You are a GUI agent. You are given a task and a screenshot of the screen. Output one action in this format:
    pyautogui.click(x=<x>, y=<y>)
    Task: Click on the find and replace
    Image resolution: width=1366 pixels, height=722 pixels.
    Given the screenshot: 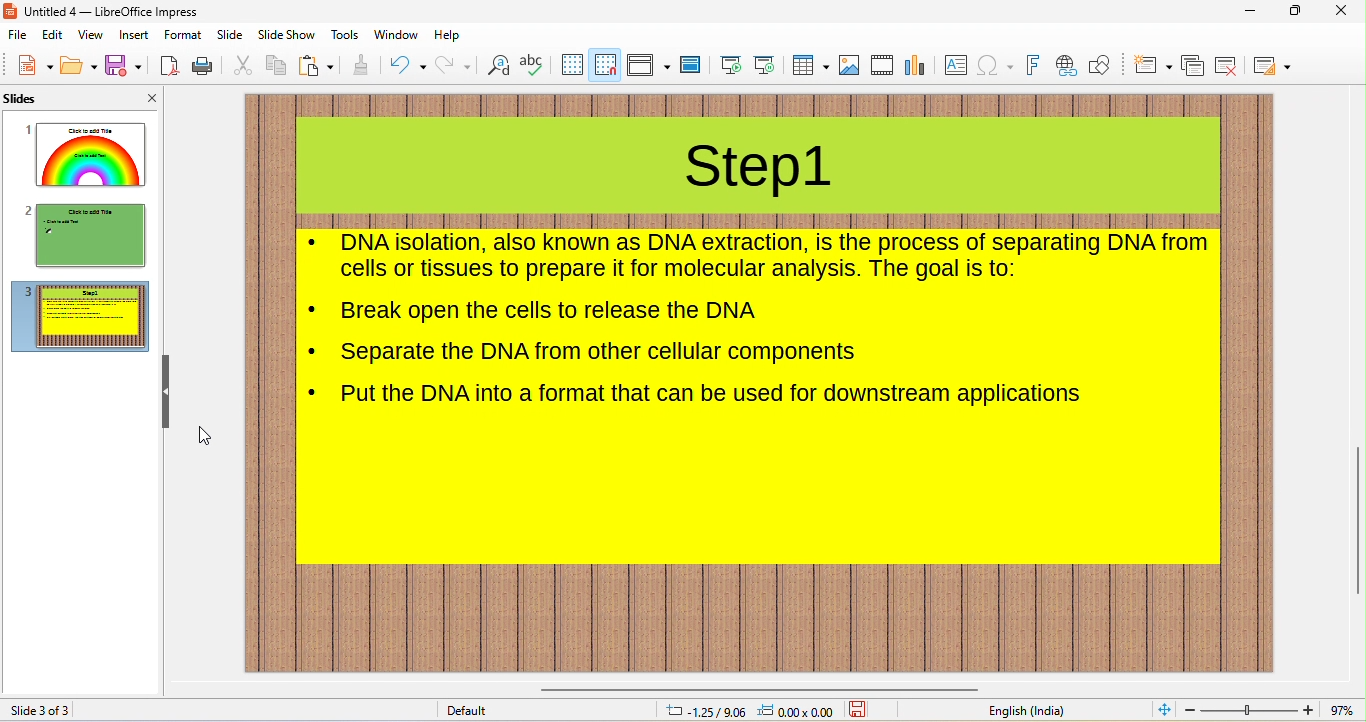 What is the action you would take?
    pyautogui.click(x=498, y=66)
    